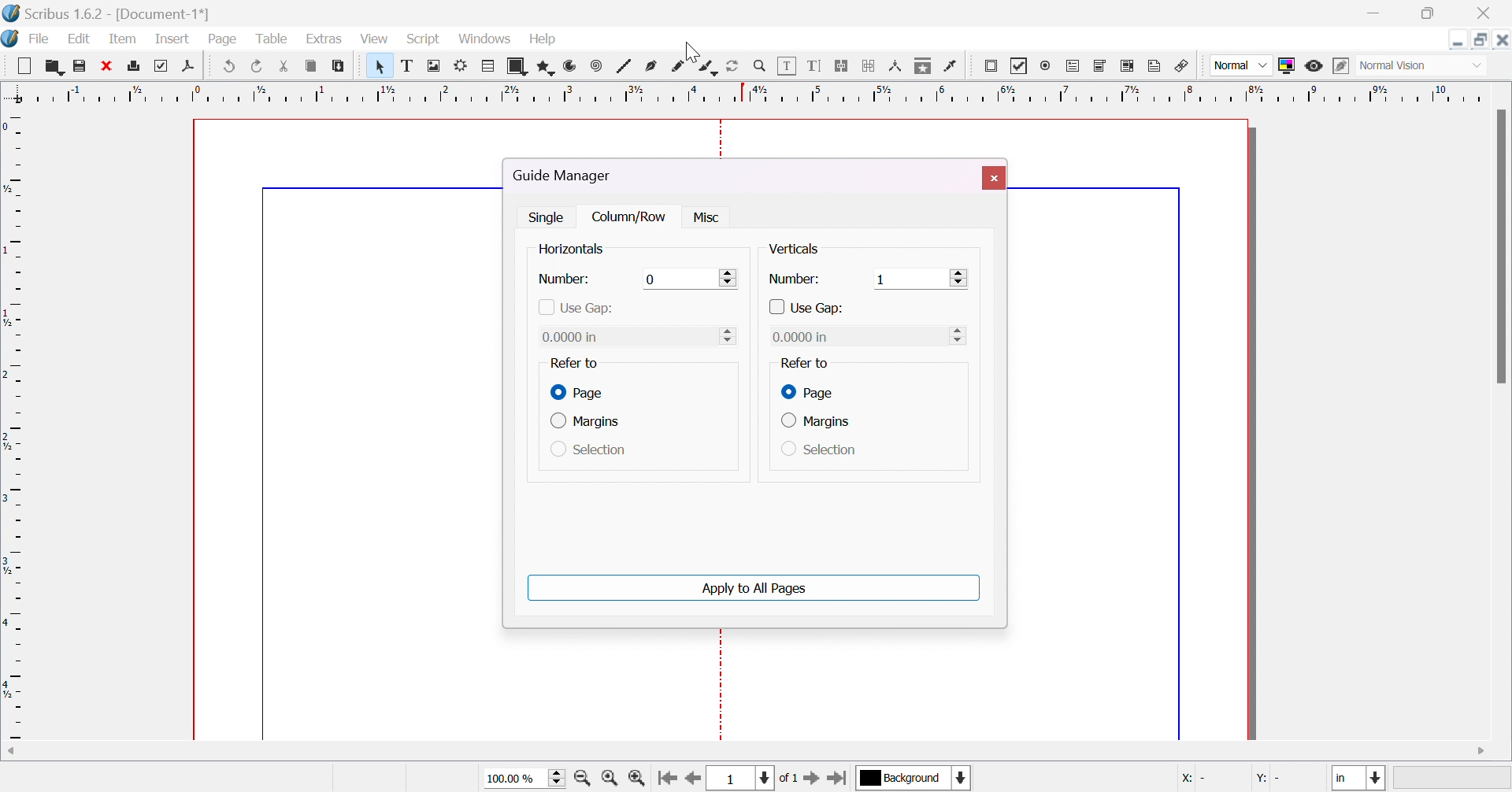 The image size is (1512, 792). What do you see at coordinates (691, 50) in the screenshot?
I see `cursor` at bounding box center [691, 50].